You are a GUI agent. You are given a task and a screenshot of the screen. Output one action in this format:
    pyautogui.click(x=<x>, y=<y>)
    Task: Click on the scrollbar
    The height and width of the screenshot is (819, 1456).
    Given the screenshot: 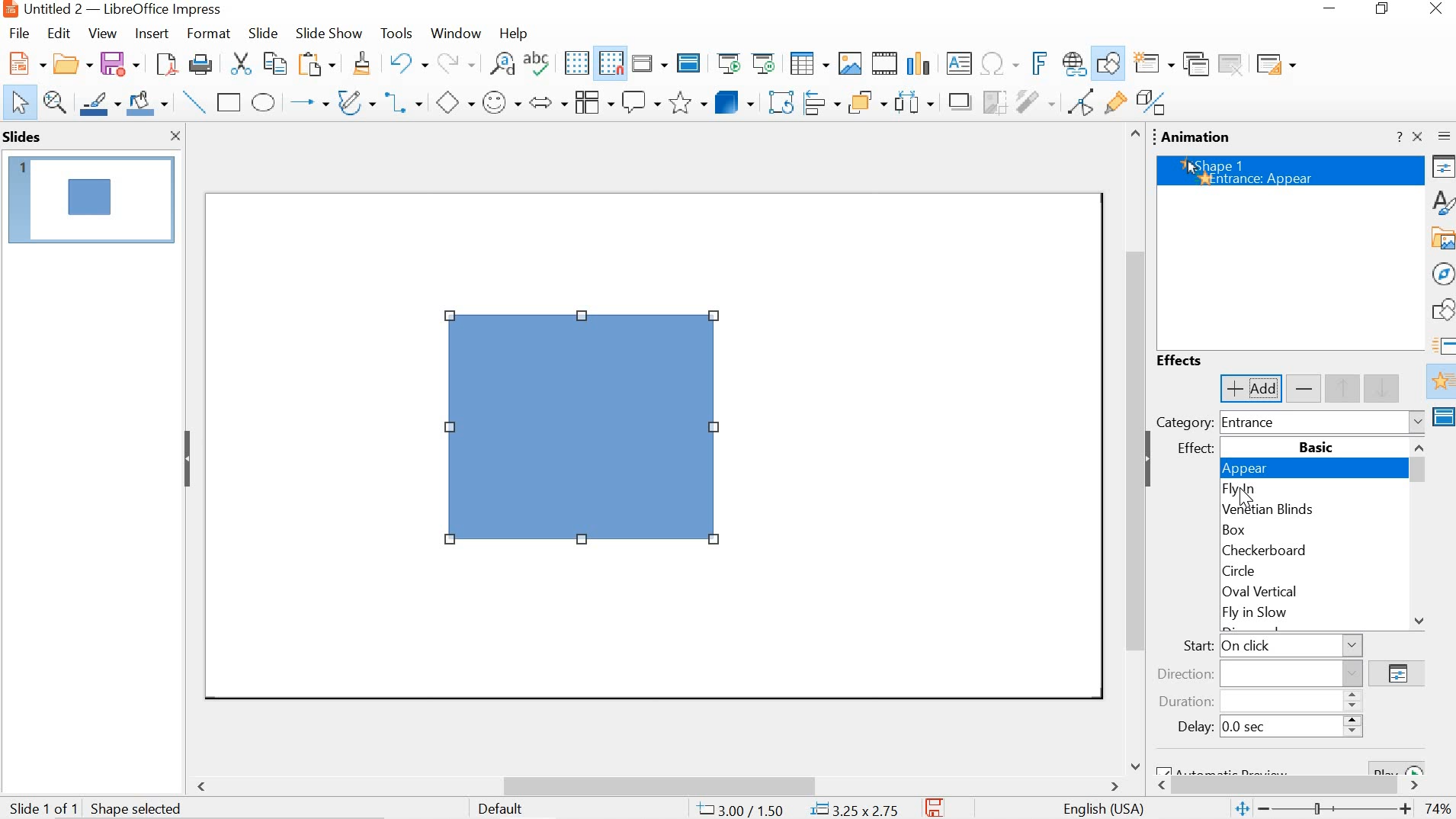 What is the action you would take?
    pyautogui.click(x=1132, y=435)
    